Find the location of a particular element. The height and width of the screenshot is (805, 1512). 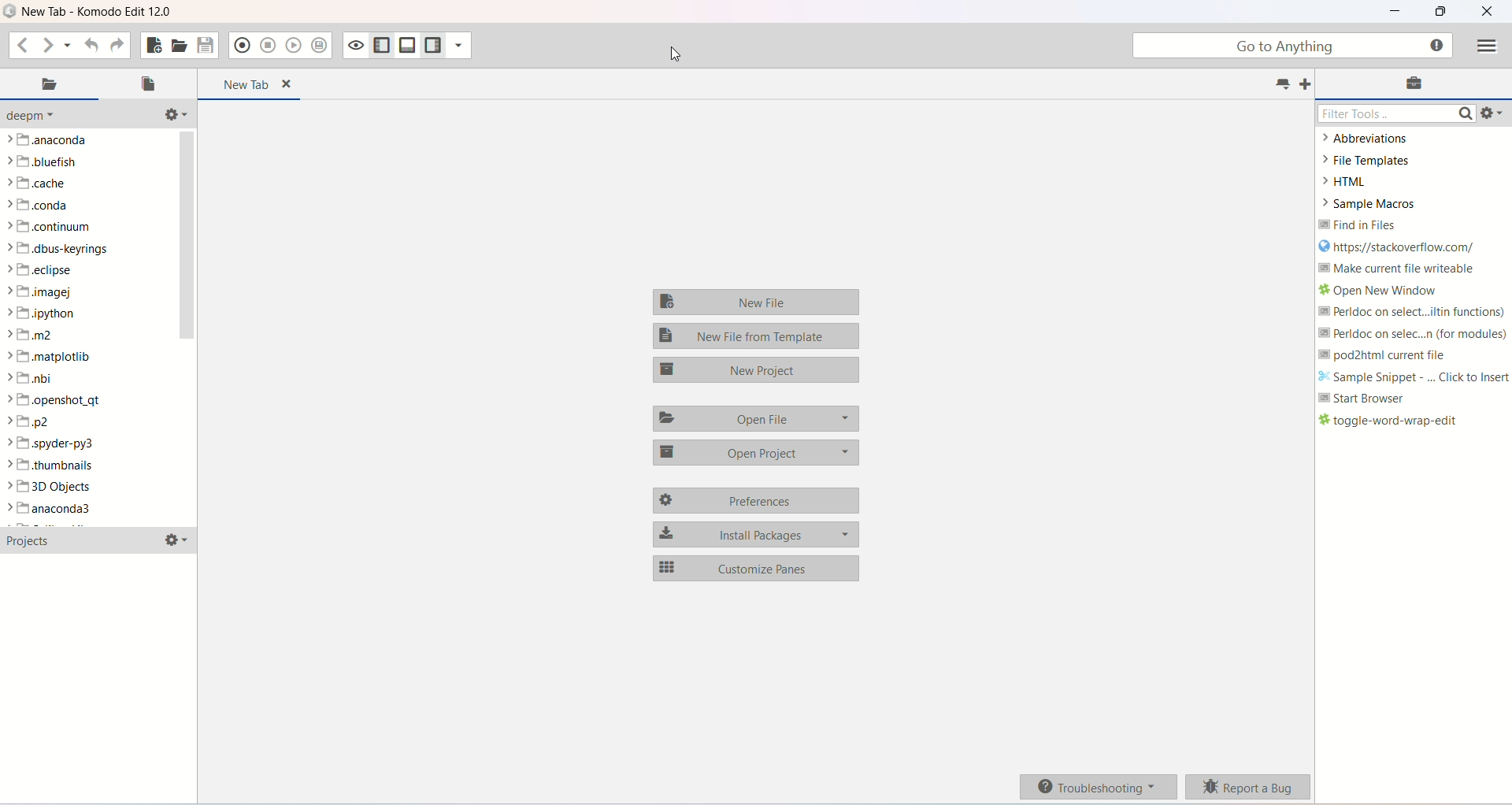

continuum is located at coordinates (54, 225).